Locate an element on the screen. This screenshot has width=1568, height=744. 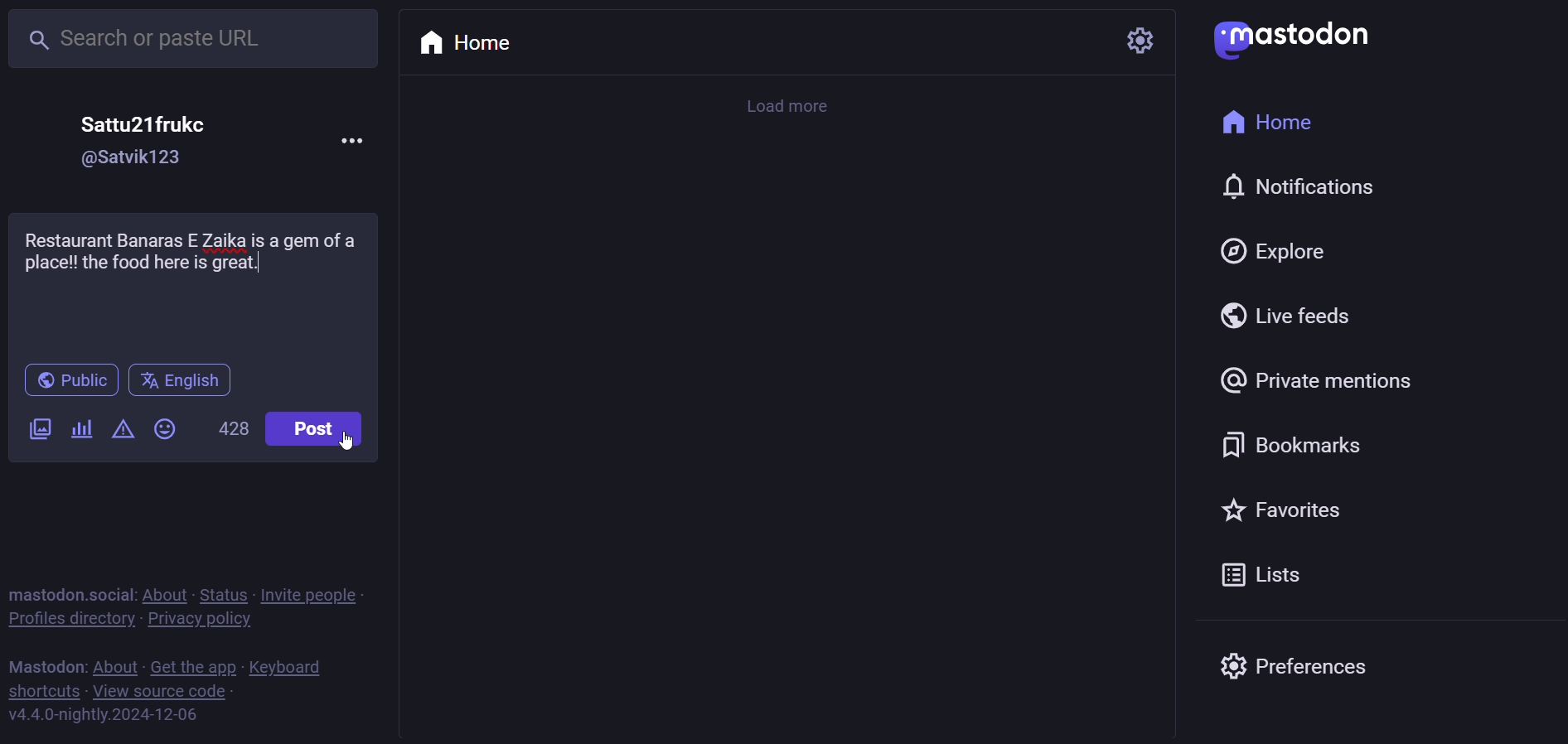
status is located at coordinates (224, 593).